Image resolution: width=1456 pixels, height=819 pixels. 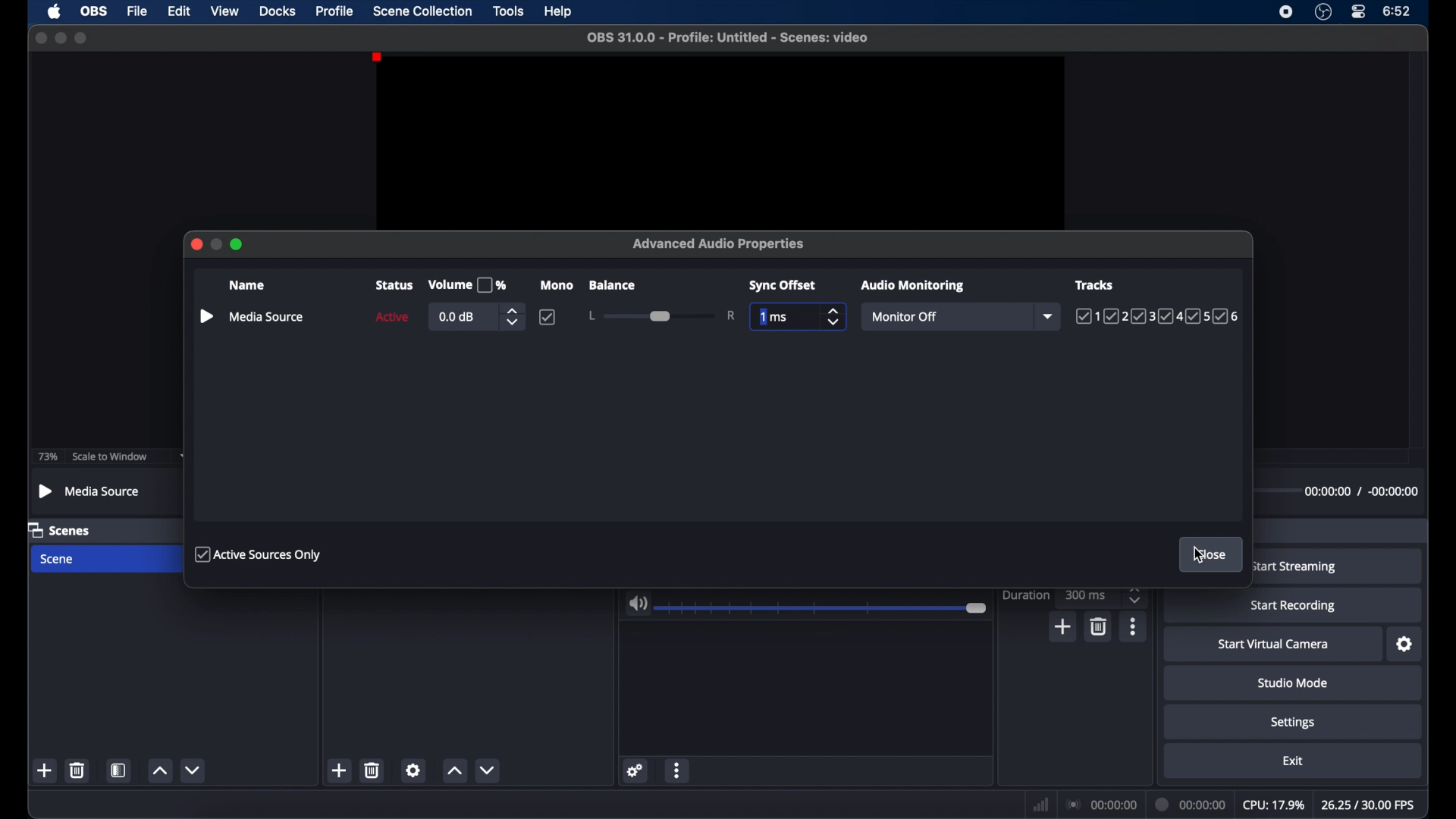 What do you see at coordinates (613, 285) in the screenshot?
I see `balance` at bounding box center [613, 285].